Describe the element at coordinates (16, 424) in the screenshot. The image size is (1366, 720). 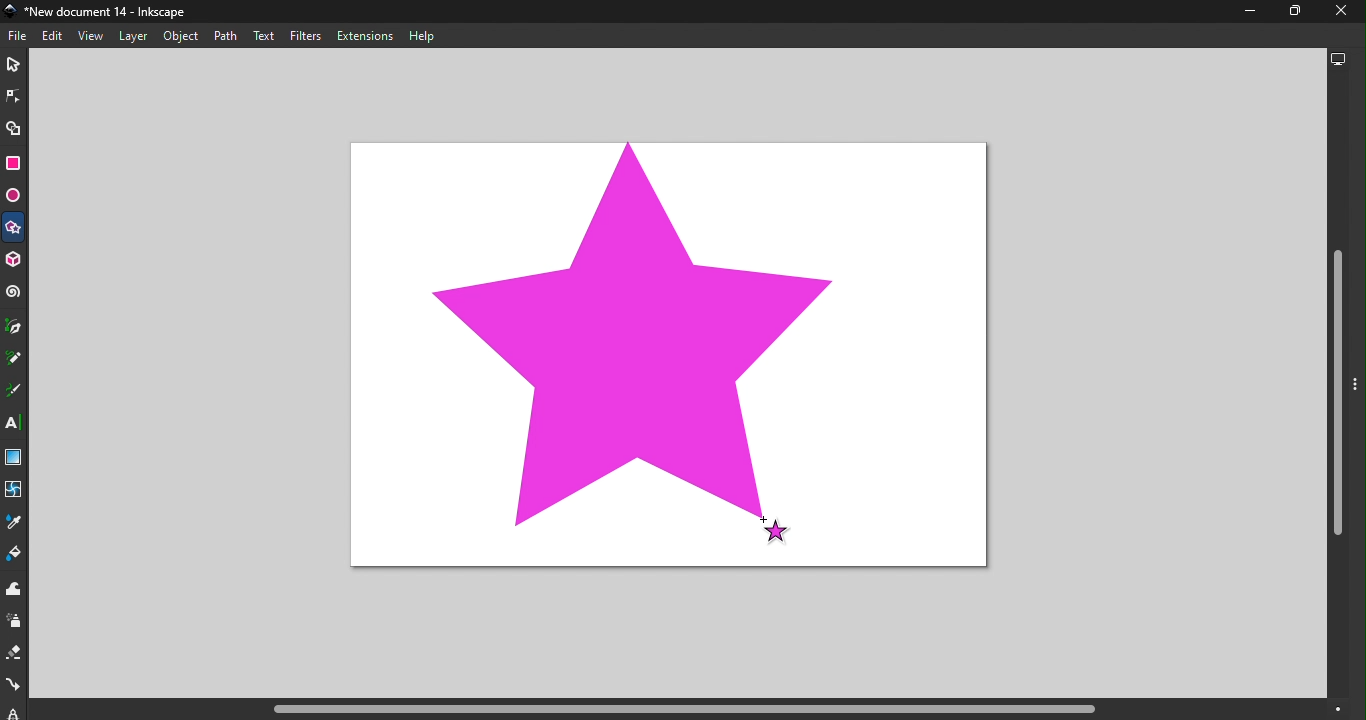
I see `Text tool` at that location.